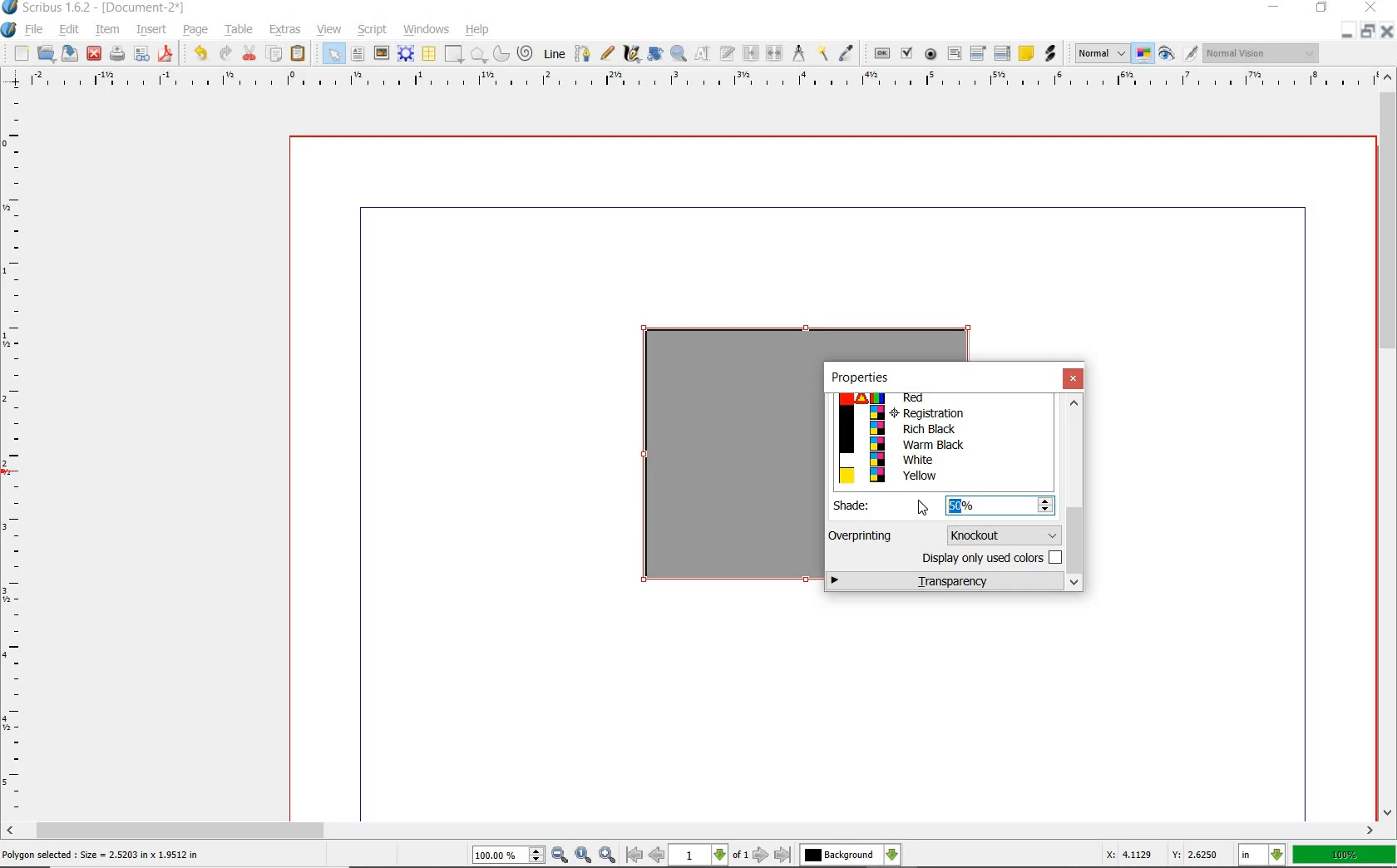 This screenshot has width=1397, height=868. What do you see at coordinates (1003, 52) in the screenshot?
I see `pdf list box` at bounding box center [1003, 52].